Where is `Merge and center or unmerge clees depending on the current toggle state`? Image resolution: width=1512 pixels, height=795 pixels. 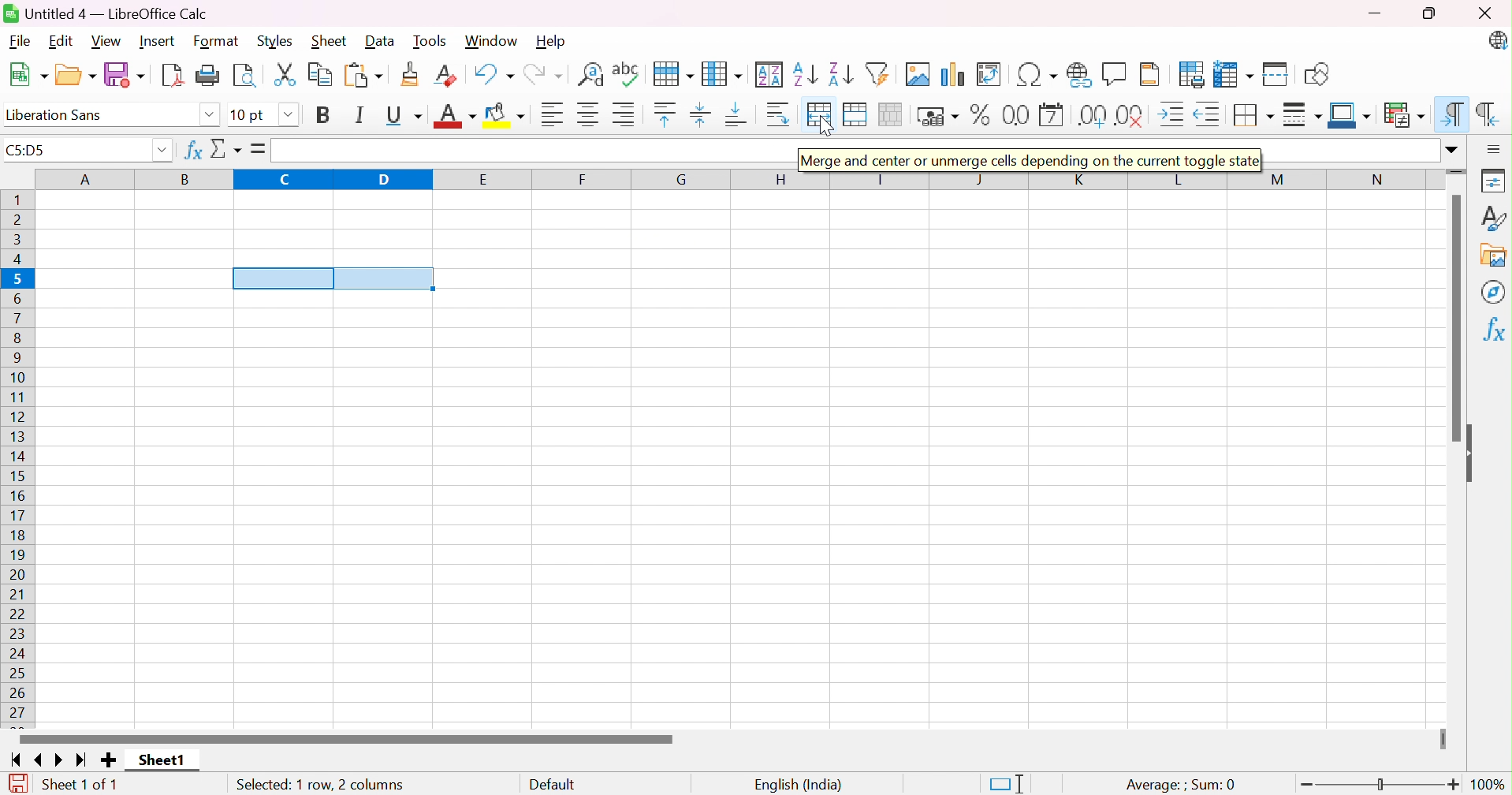 Merge and center or unmerge clees depending on the current toggle state is located at coordinates (1030, 157).